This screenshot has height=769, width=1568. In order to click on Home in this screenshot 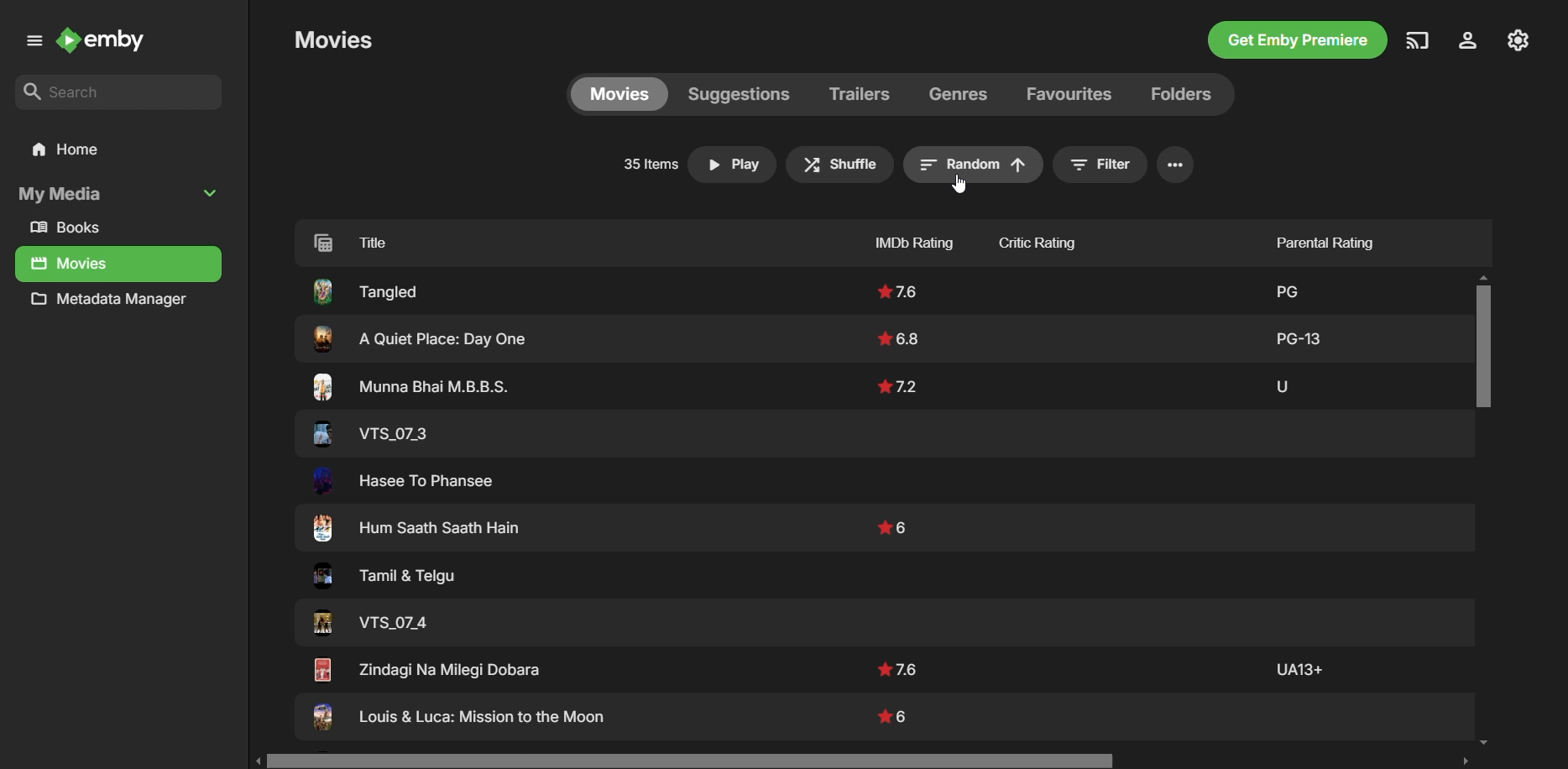, I will do `click(117, 150)`.